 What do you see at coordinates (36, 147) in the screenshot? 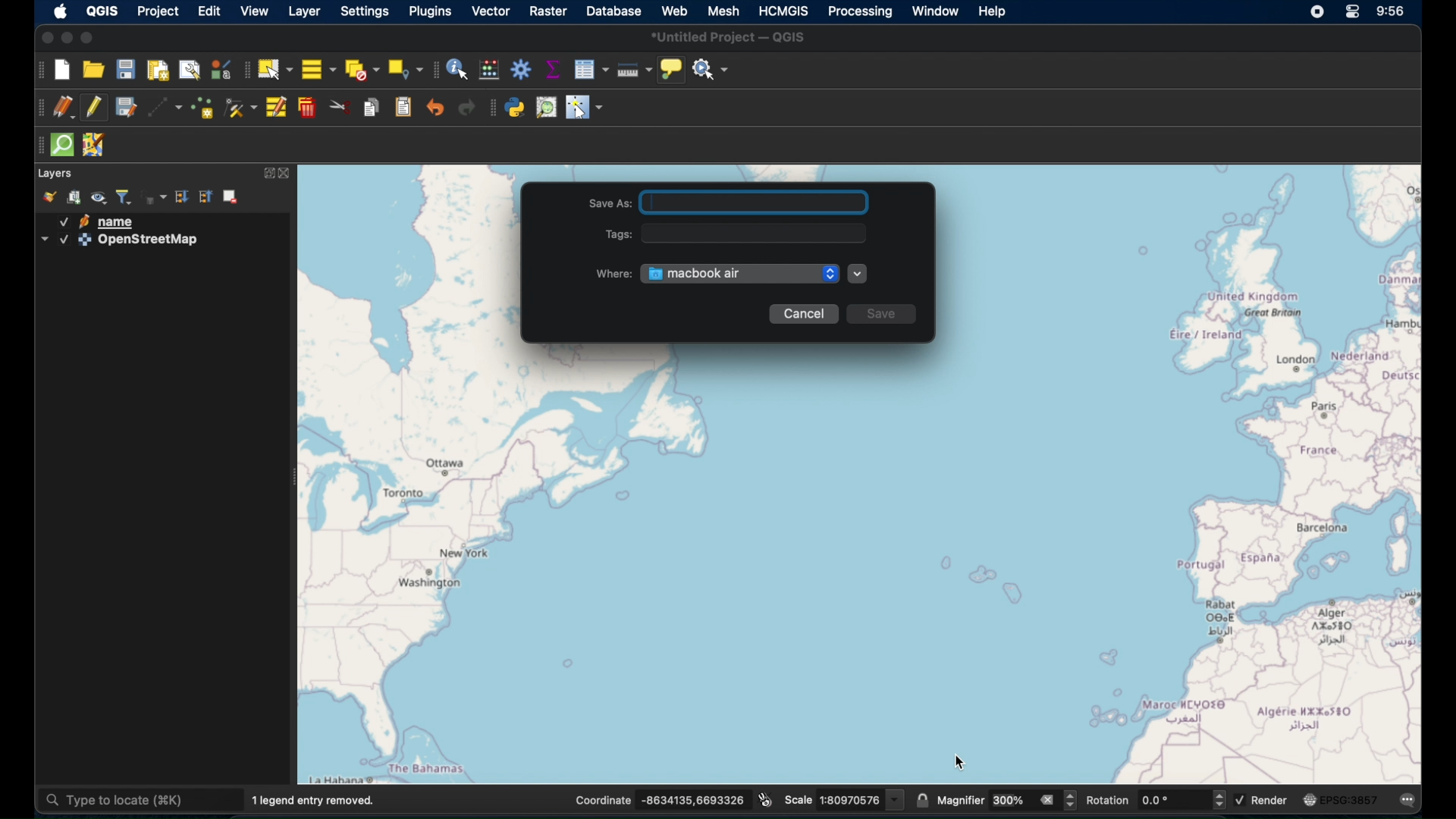
I see `drag handles` at bounding box center [36, 147].